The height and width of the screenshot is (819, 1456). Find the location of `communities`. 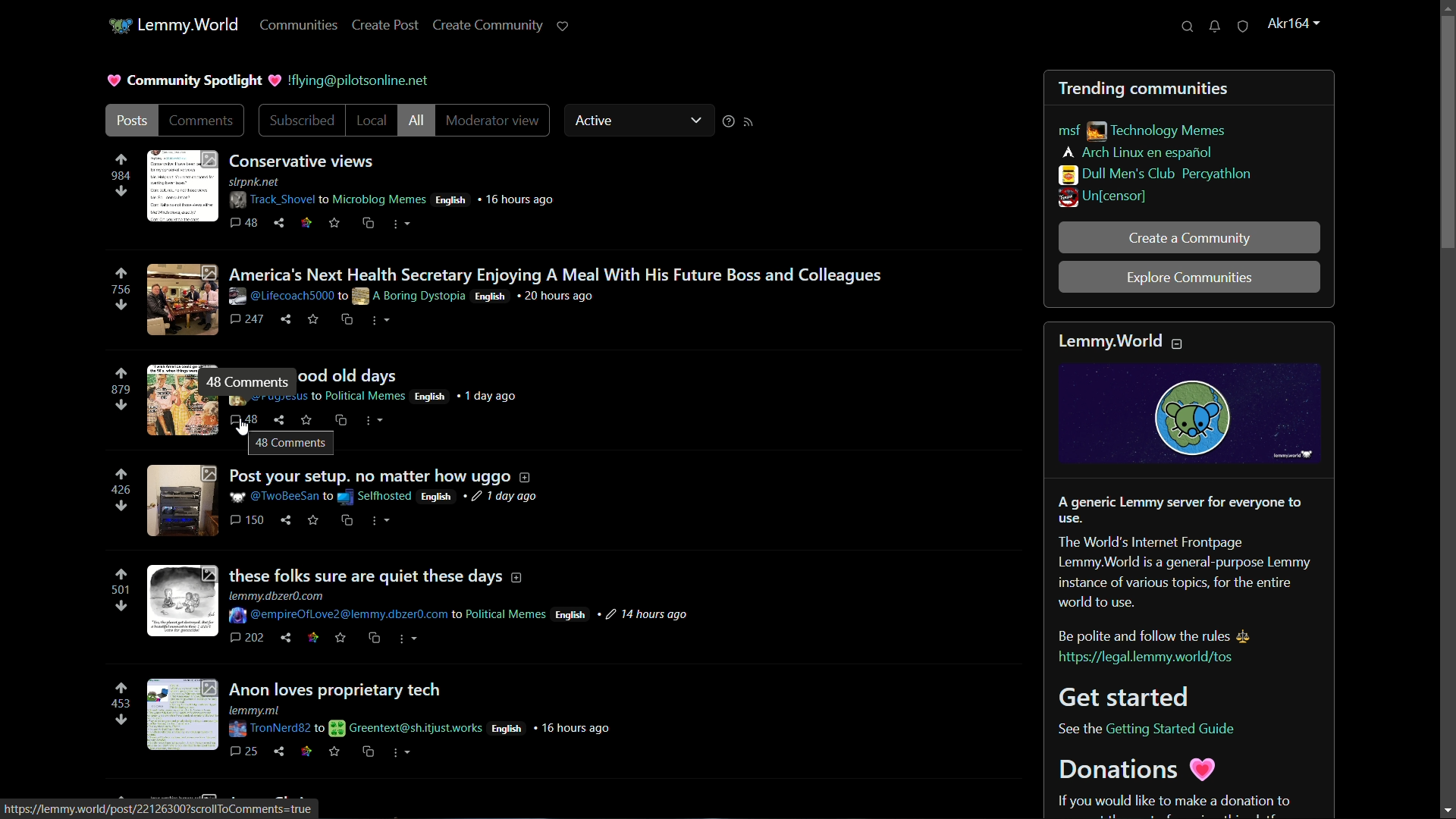

communities is located at coordinates (299, 27).